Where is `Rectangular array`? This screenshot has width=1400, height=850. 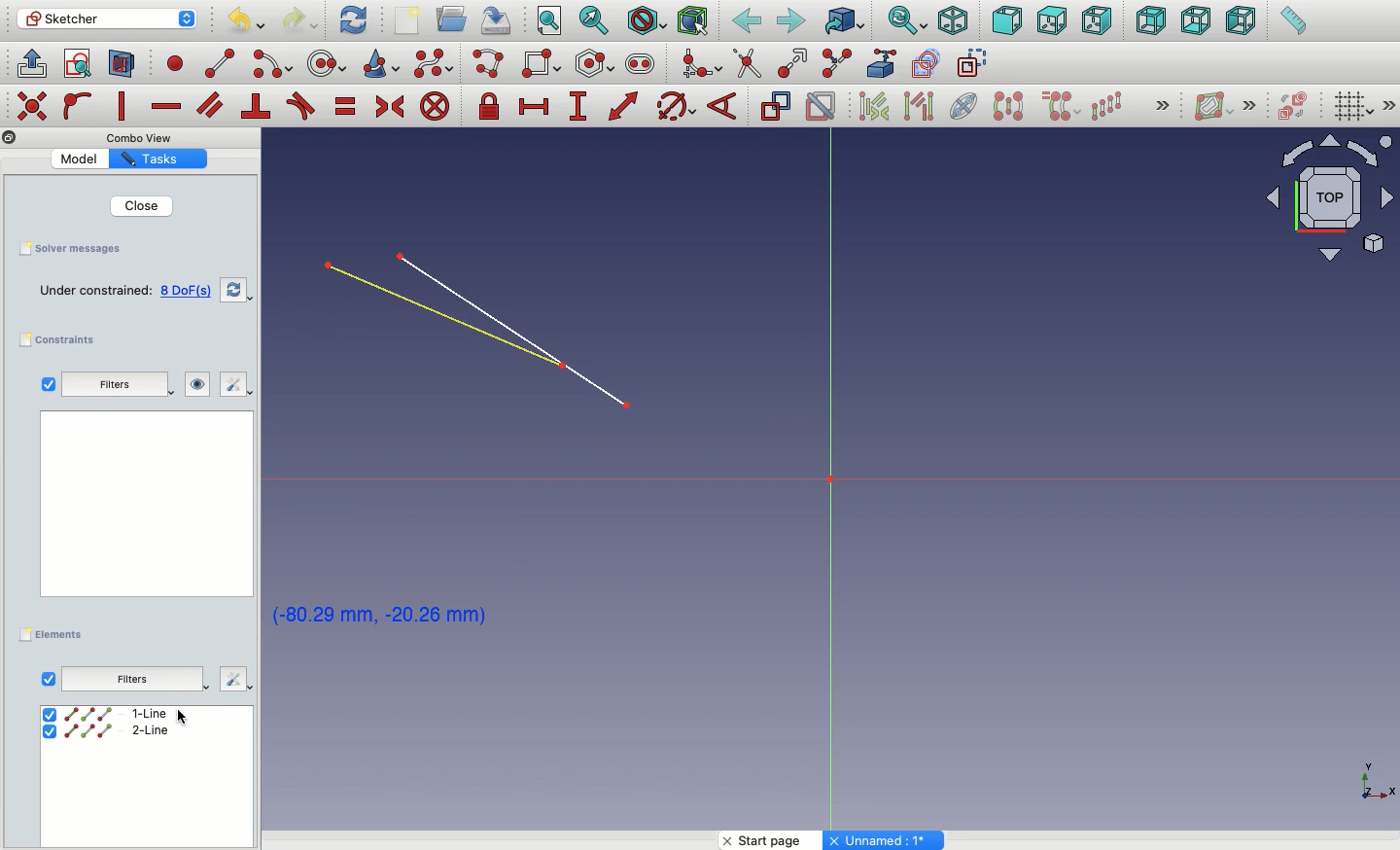
Rectangular array is located at coordinates (1108, 105).